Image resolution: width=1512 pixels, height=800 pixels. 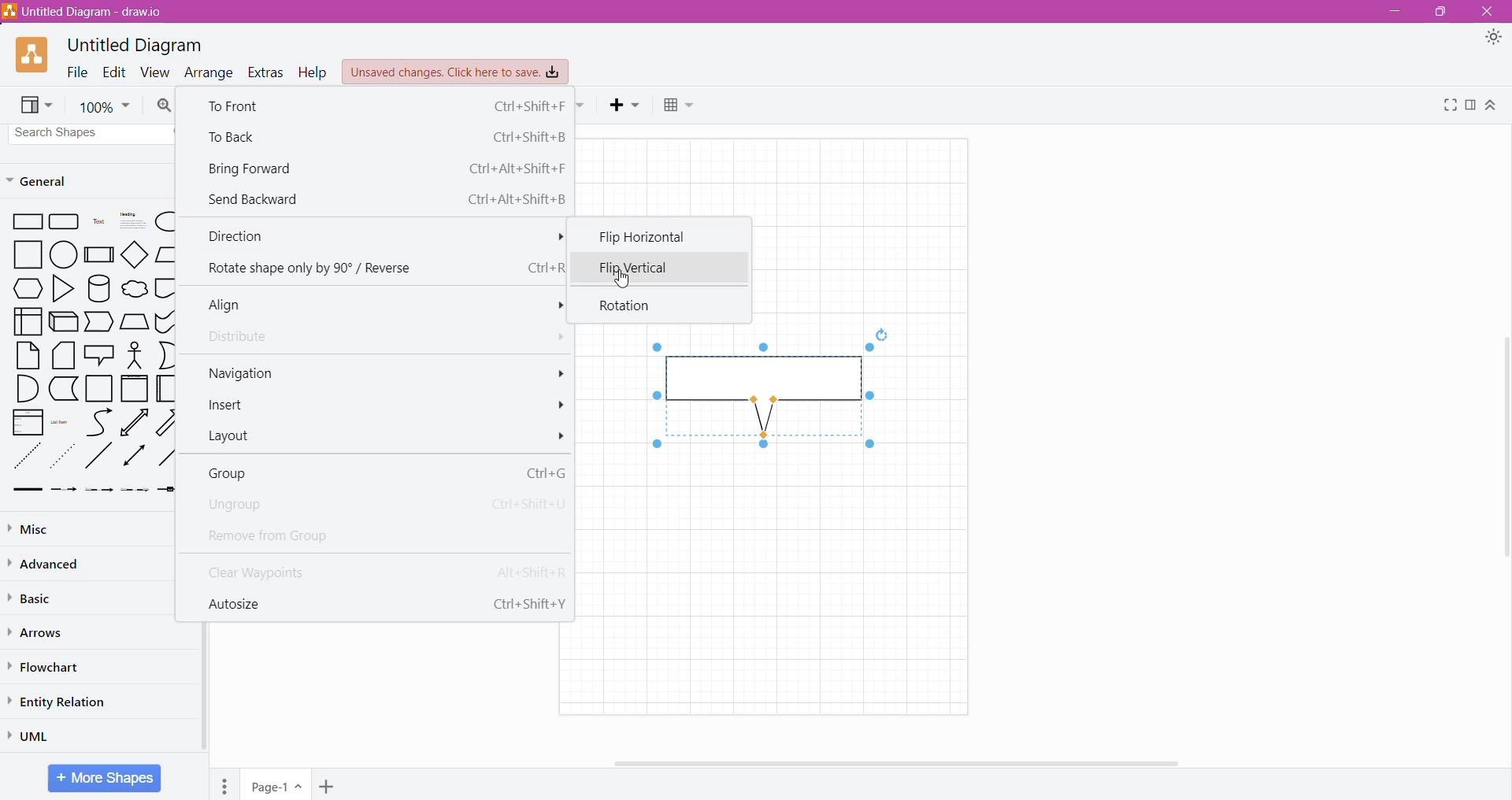 What do you see at coordinates (167, 355) in the screenshot?
I see `Half Circle` at bounding box center [167, 355].